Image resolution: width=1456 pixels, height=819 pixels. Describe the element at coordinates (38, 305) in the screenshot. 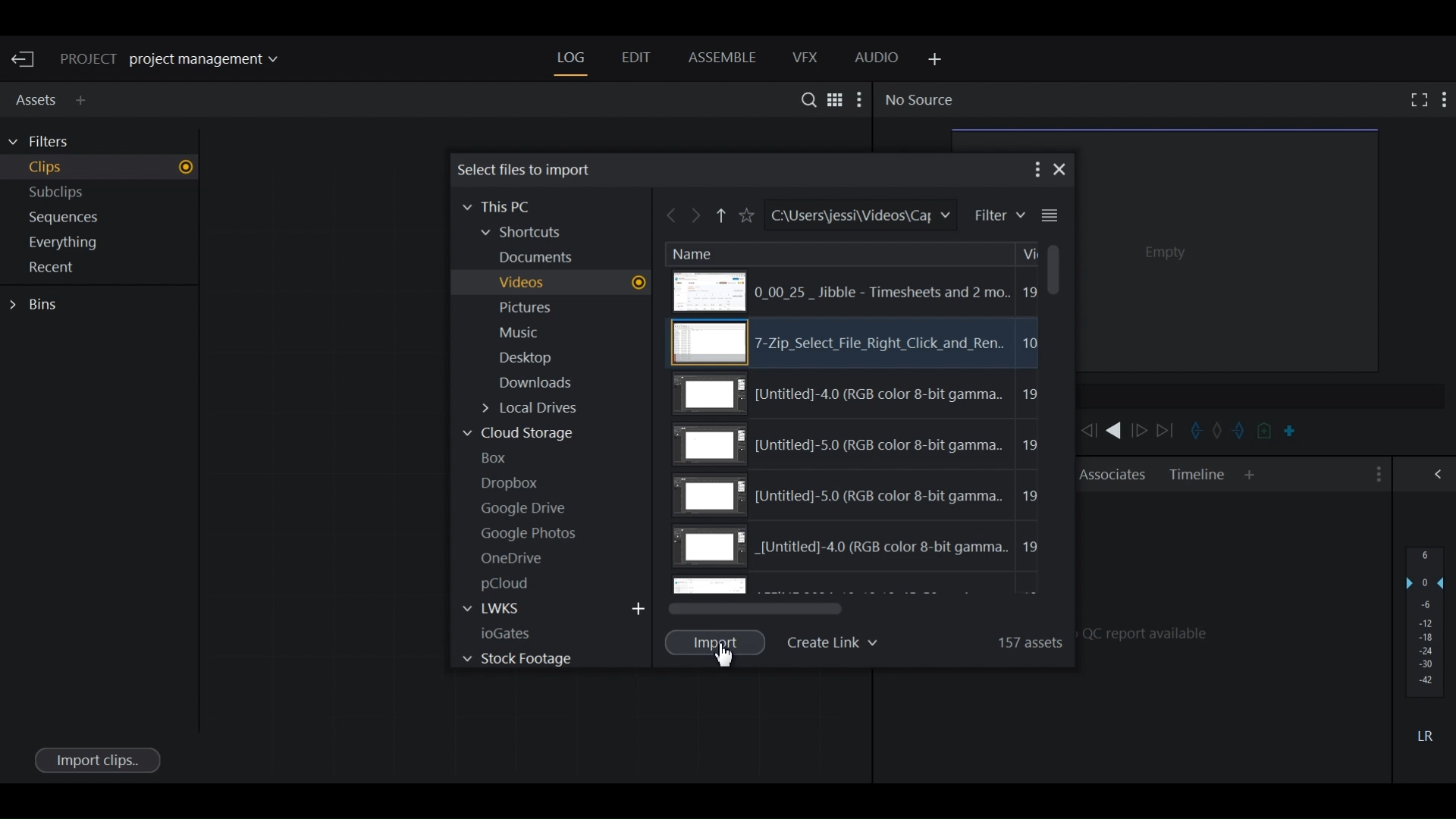

I see `Bins` at that location.